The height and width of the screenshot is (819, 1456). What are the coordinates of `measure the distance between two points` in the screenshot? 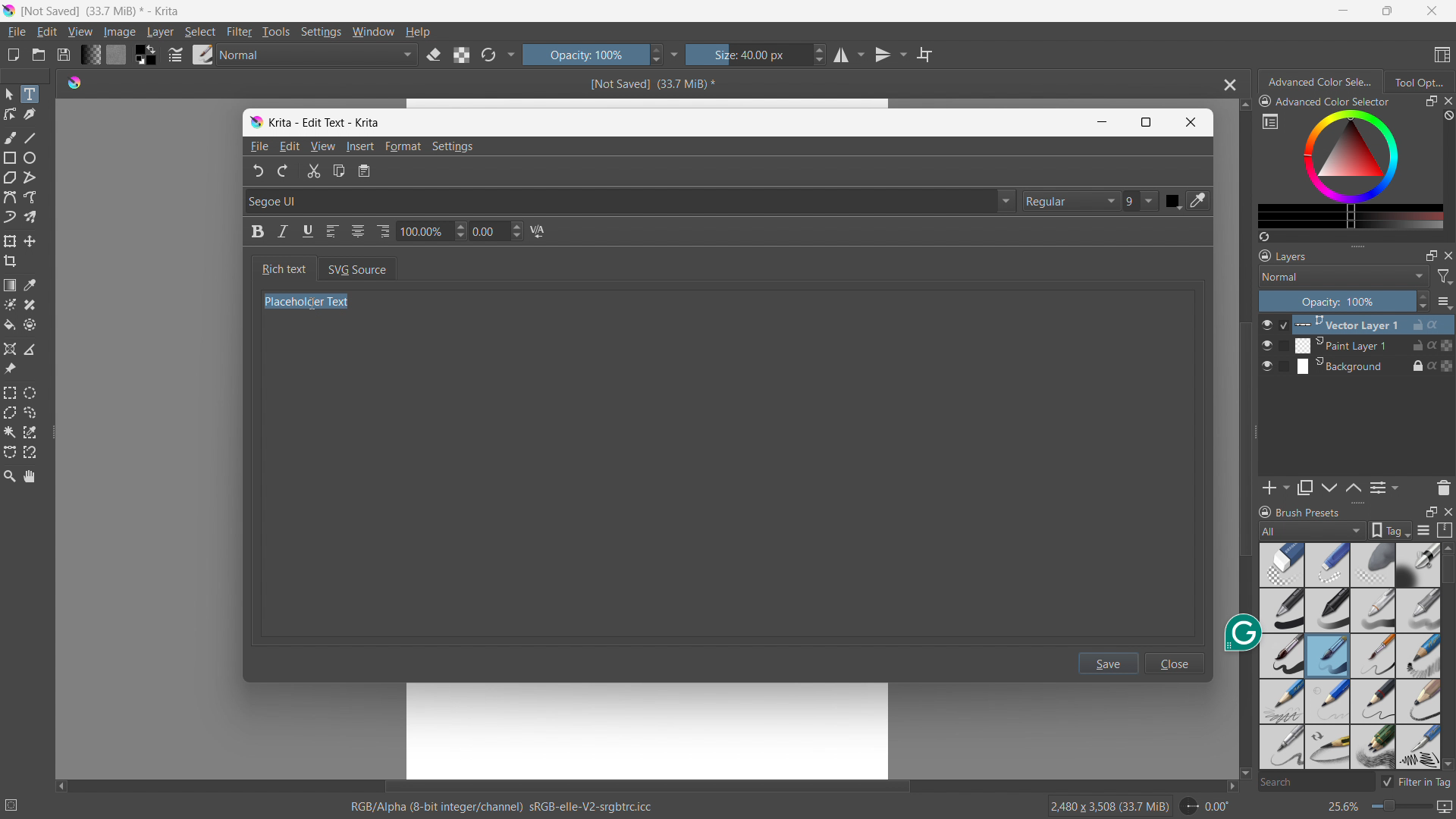 It's located at (30, 349).